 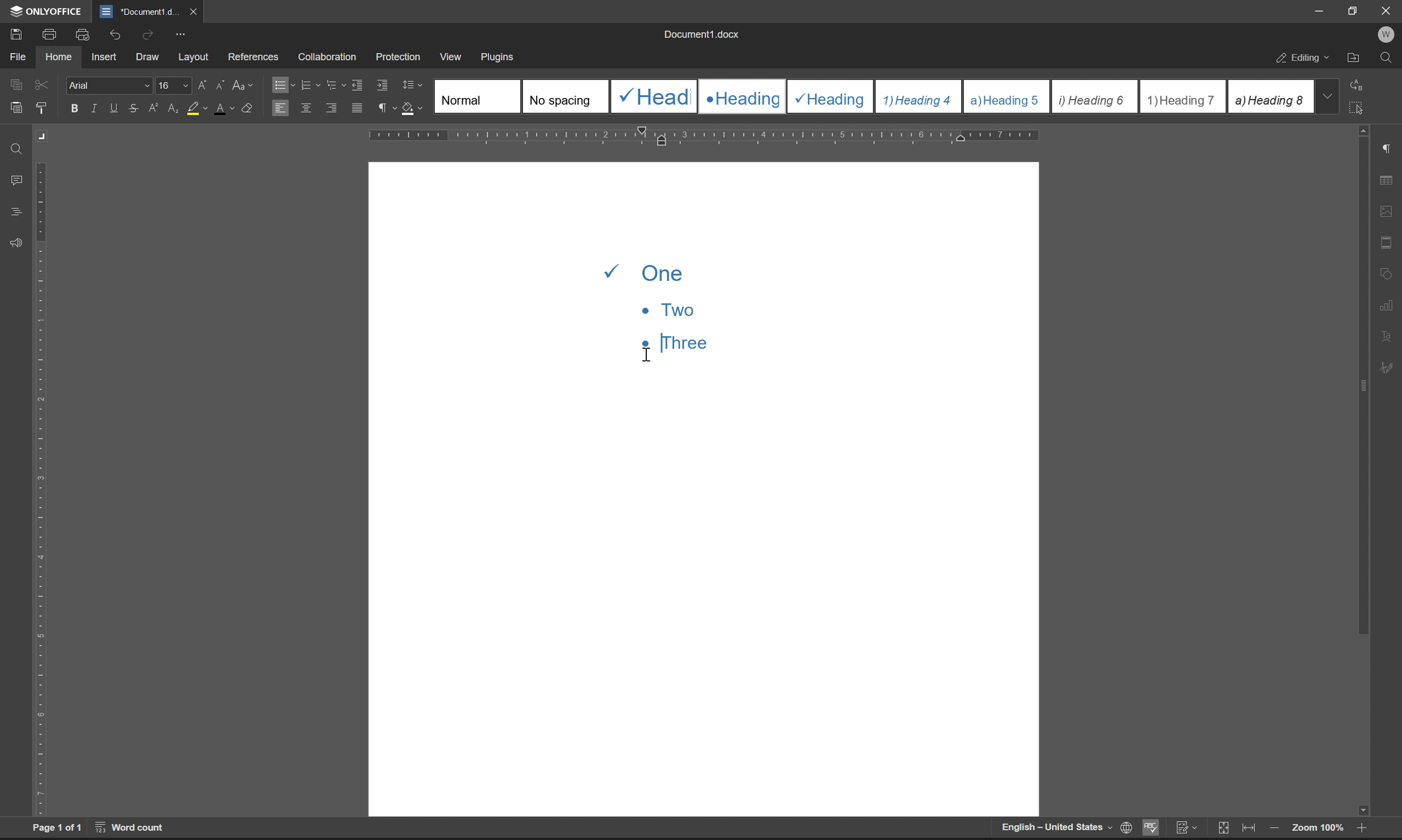 What do you see at coordinates (333, 107) in the screenshot?
I see `align right` at bounding box center [333, 107].